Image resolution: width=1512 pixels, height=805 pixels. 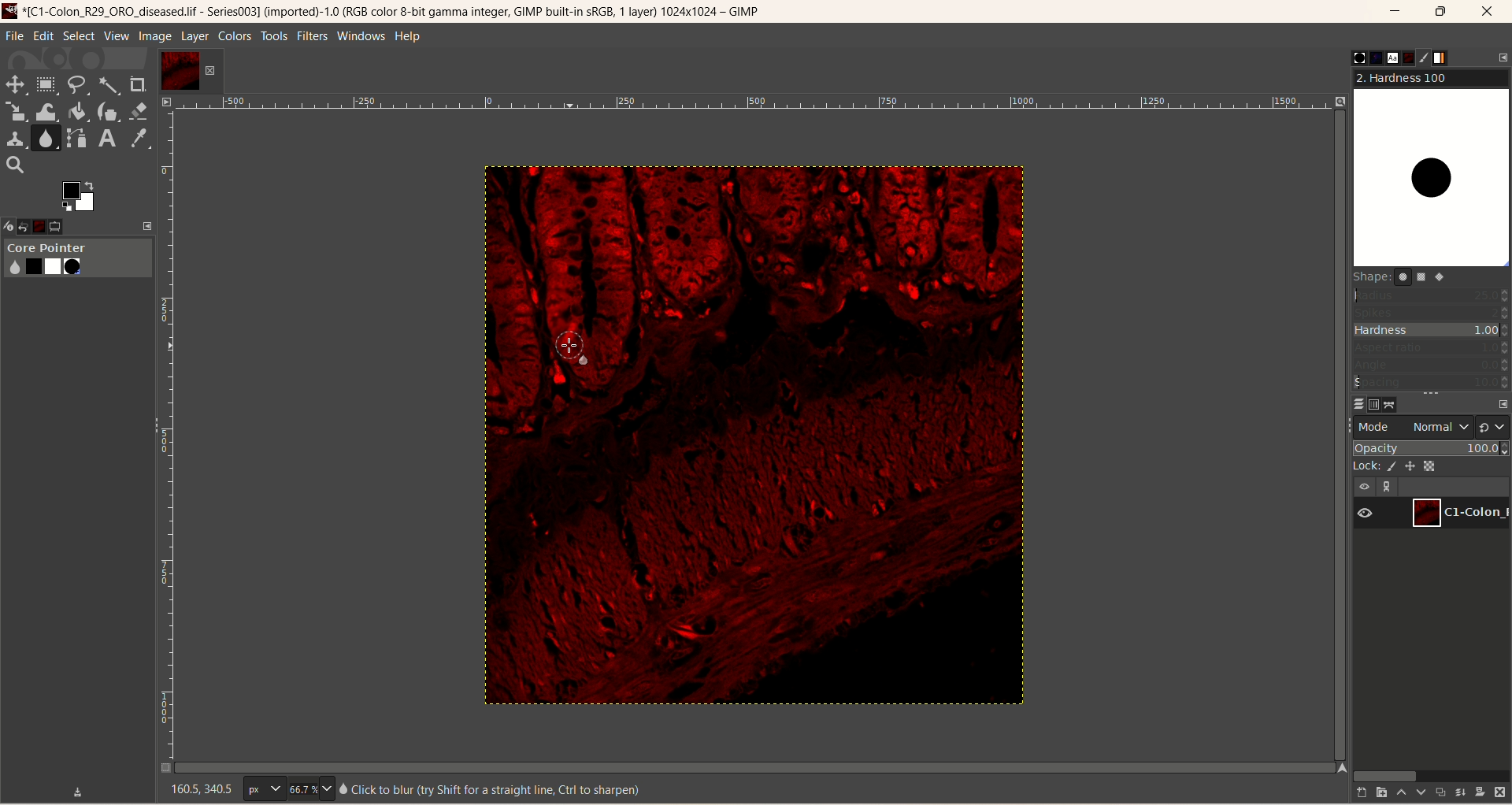 What do you see at coordinates (79, 36) in the screenshot?
I see `select` at bounding box center [79, 36].